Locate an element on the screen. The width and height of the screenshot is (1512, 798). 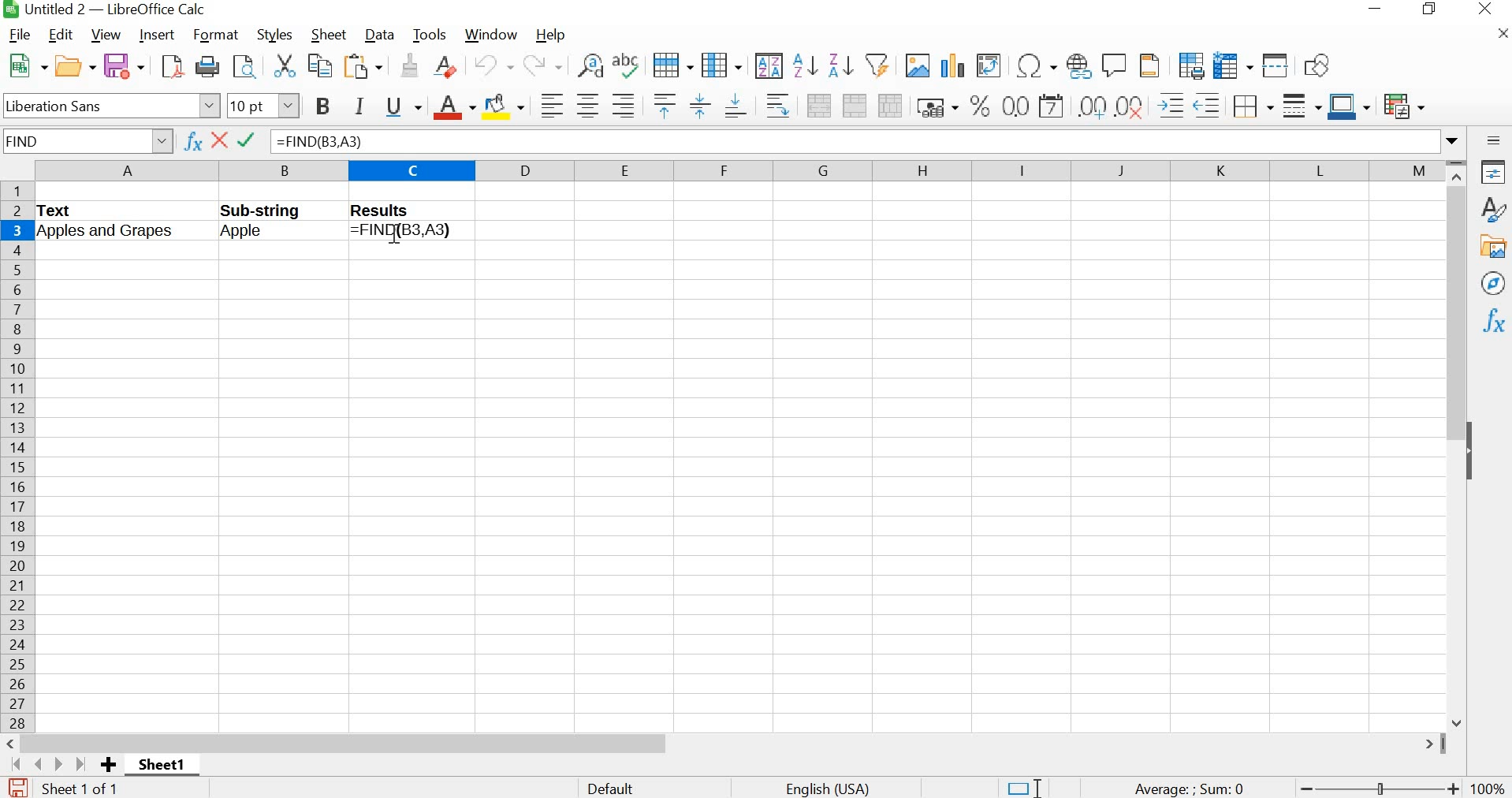
open is located at coordinates (74, 63).